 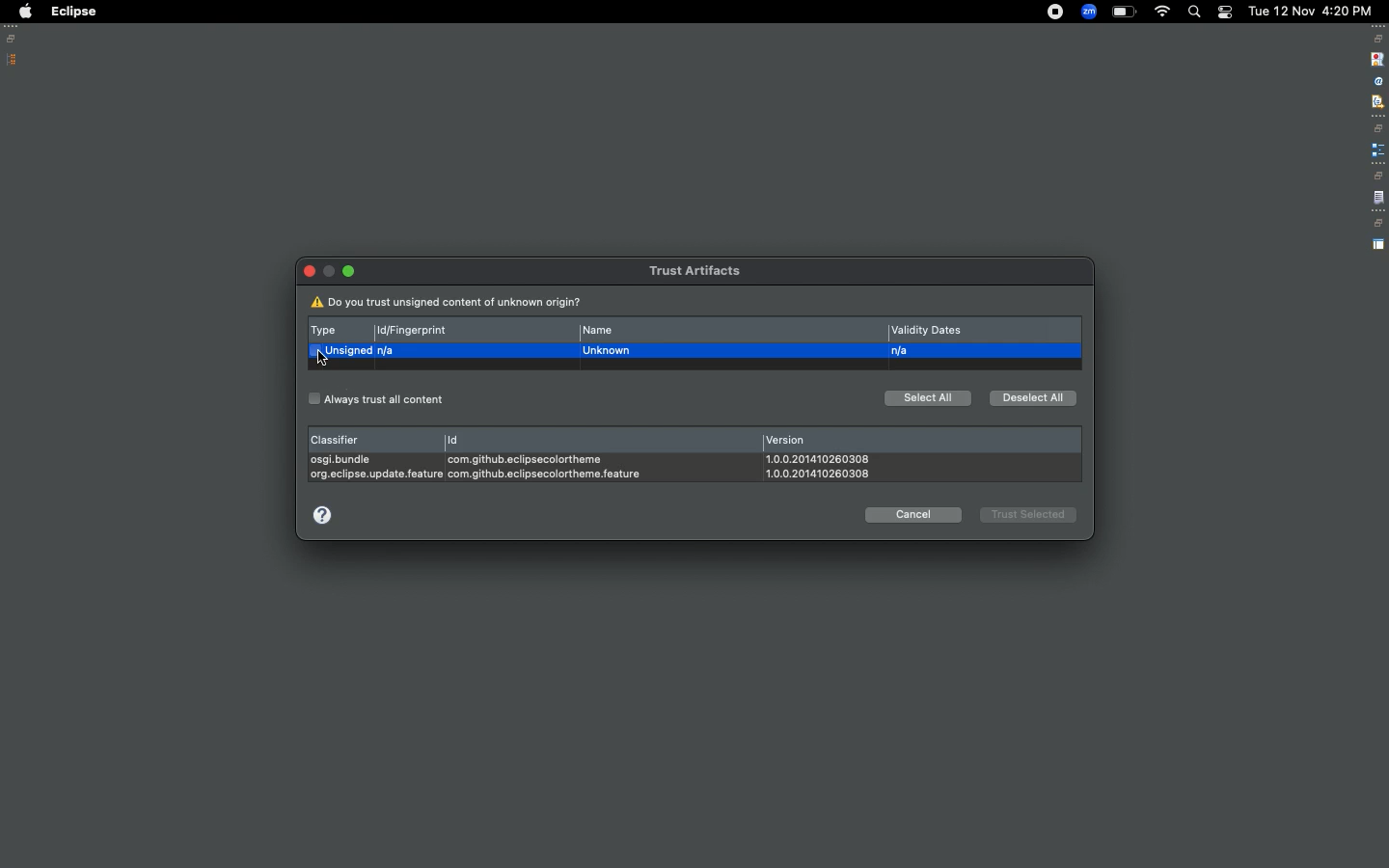 I want to click on unassigned n/a, so click(x=355, y=351).